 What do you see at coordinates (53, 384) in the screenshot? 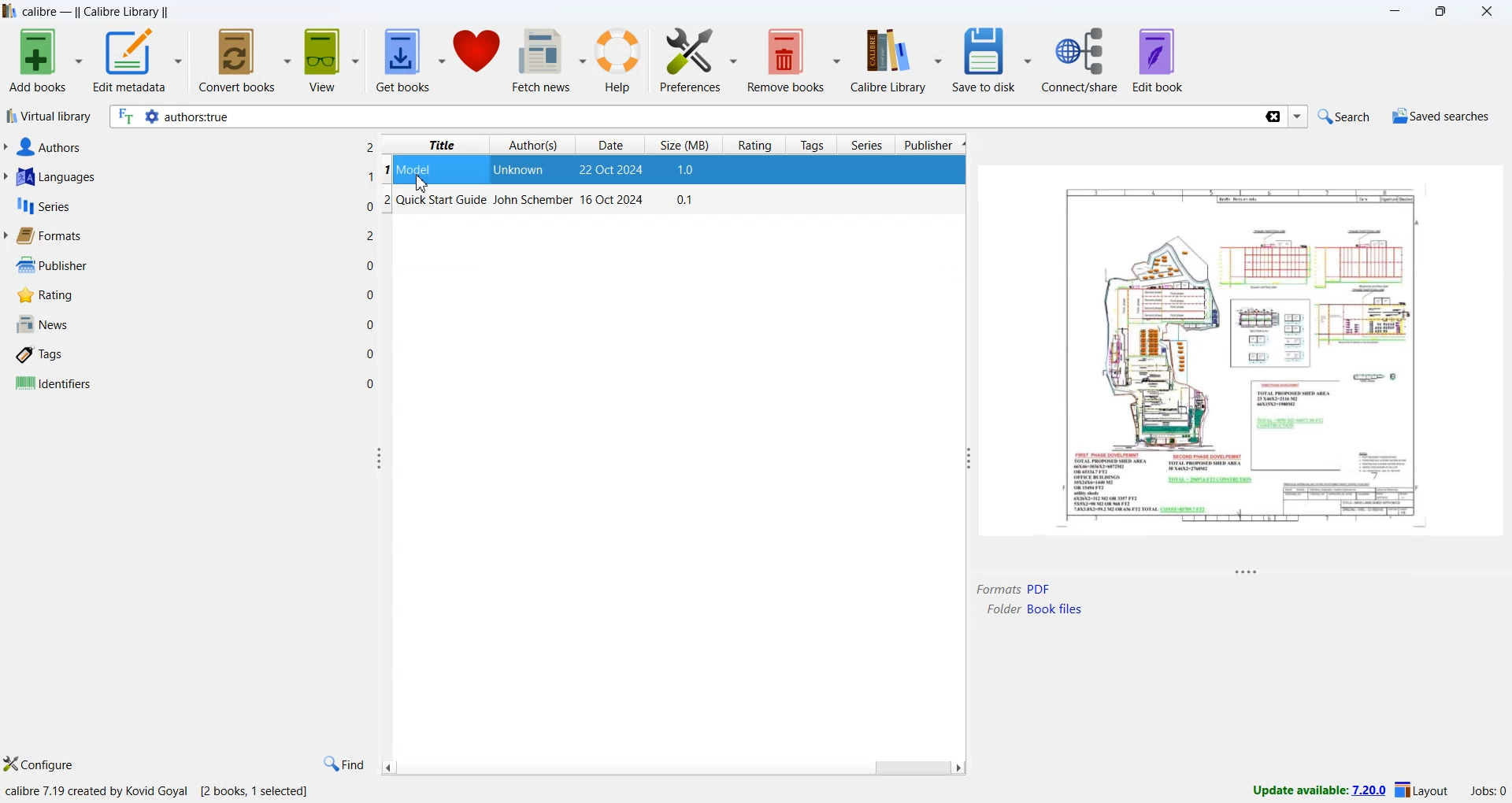
I see `identifiers` at bounding box center [53, 384].